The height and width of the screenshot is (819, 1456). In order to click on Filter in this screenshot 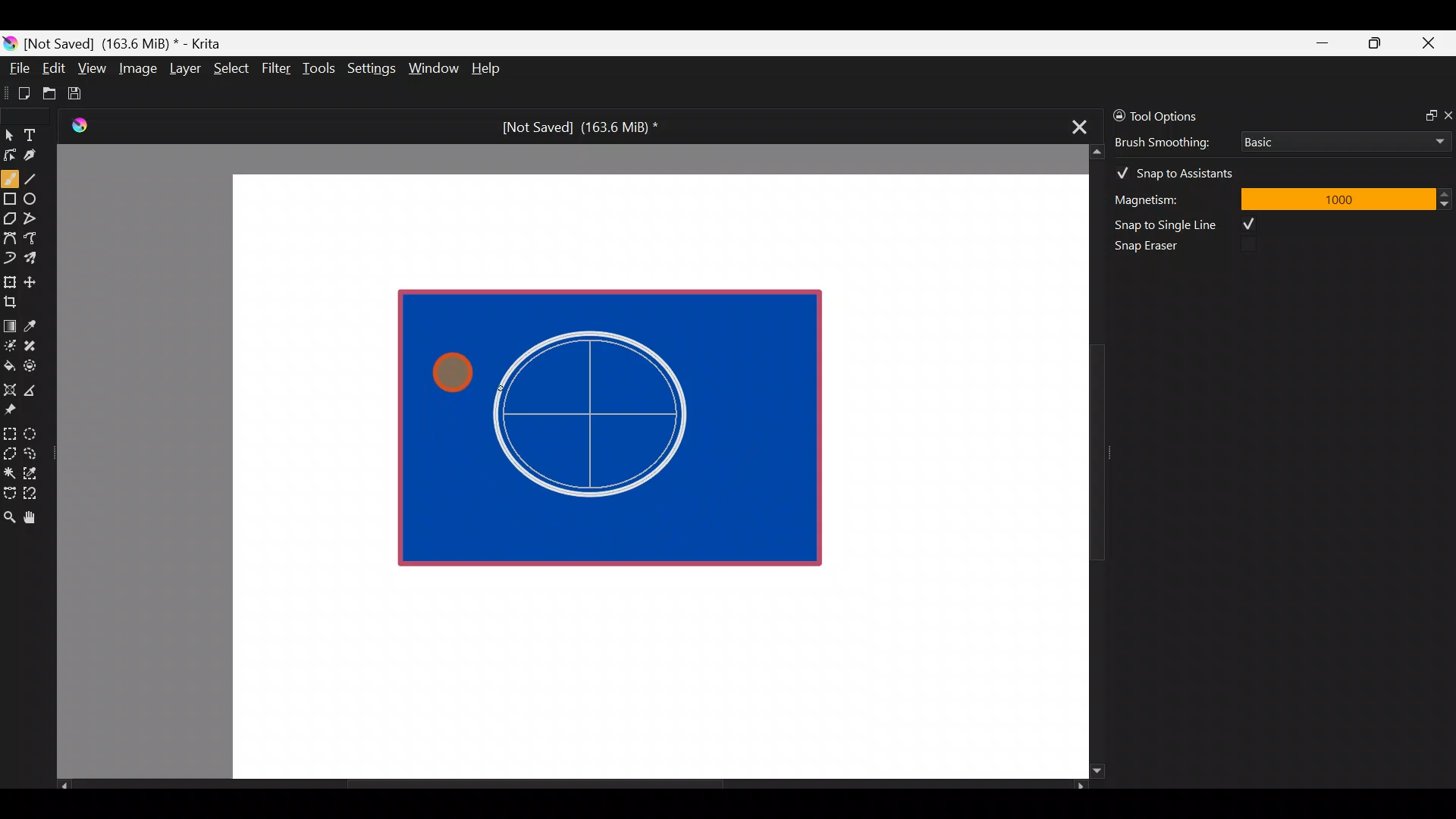, I will do `click(277, 67)`.